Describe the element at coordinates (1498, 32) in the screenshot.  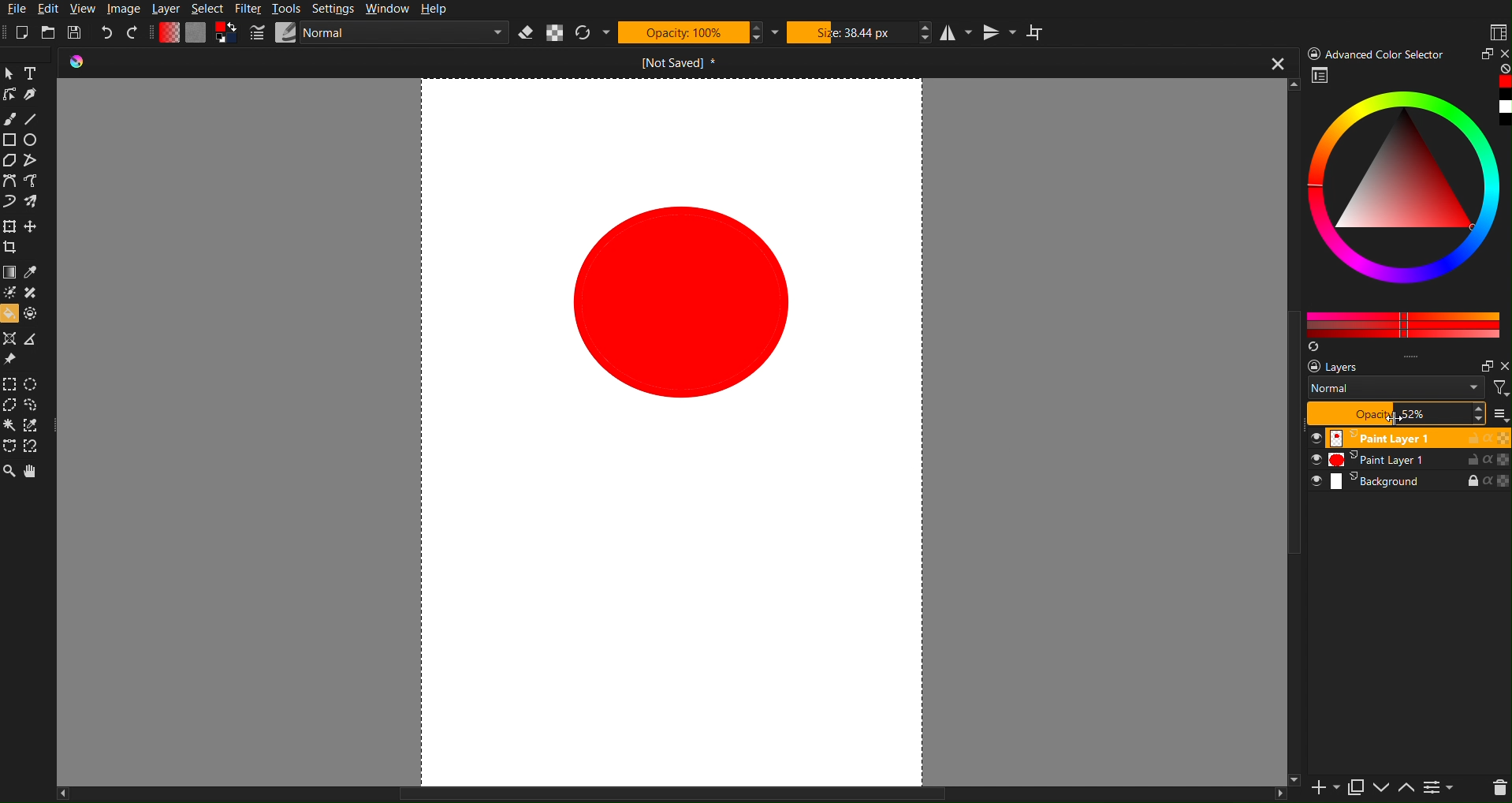
I see `Workspace` at that location.